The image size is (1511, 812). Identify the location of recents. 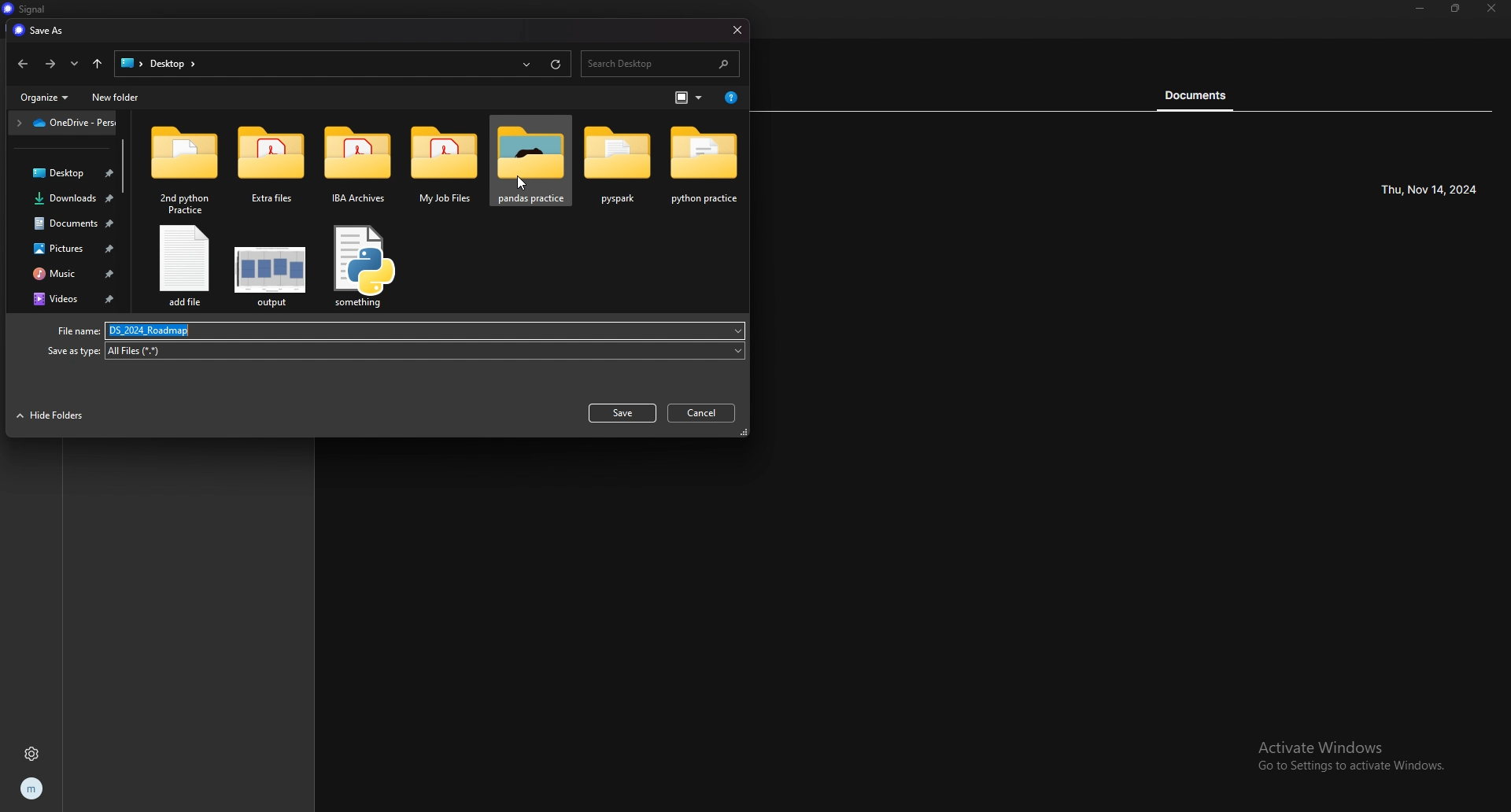
(75, 64).